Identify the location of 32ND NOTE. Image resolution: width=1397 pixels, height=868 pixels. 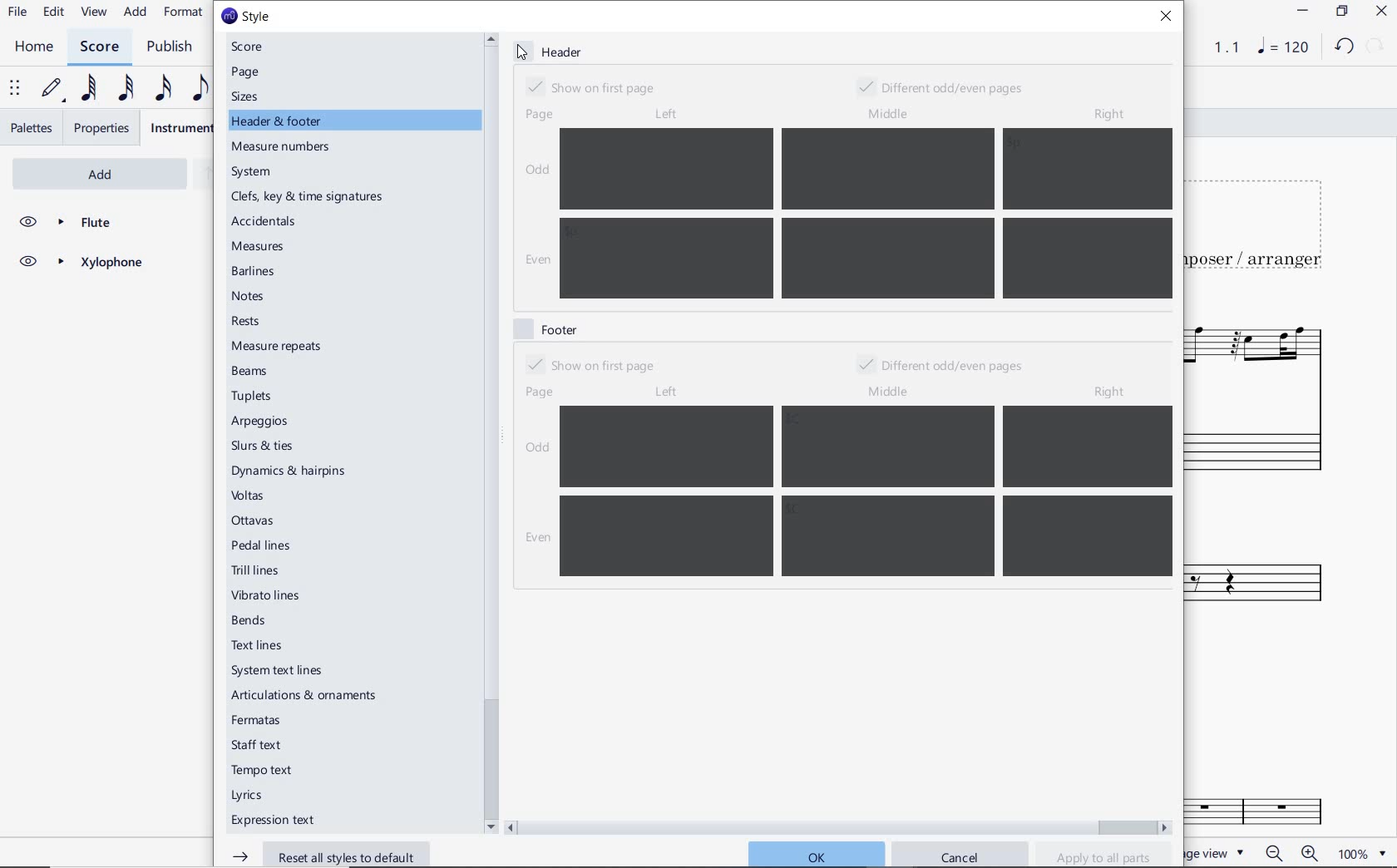
(124, 86).